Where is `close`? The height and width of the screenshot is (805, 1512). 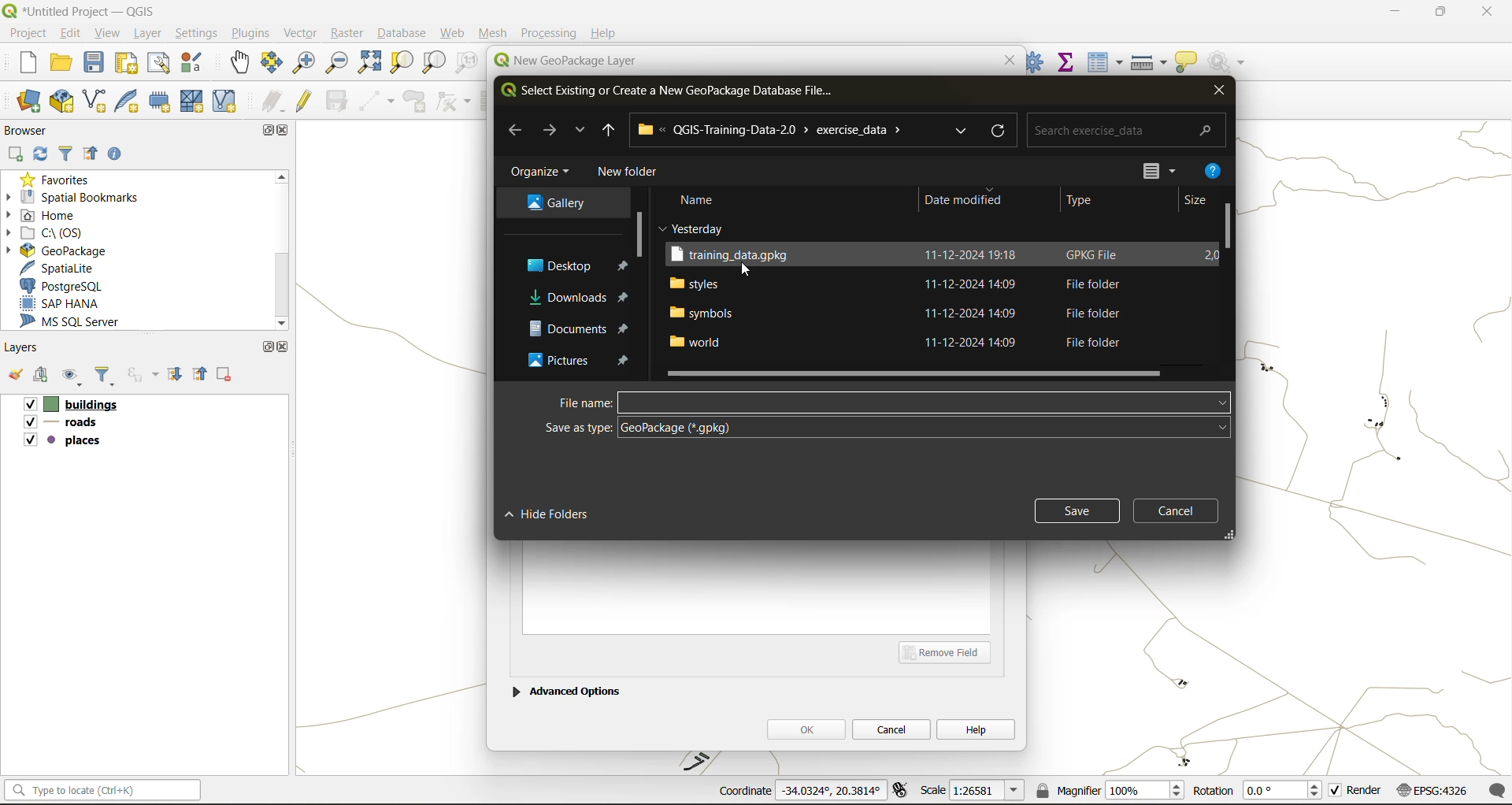
close is located at coordinates (1479, 13).